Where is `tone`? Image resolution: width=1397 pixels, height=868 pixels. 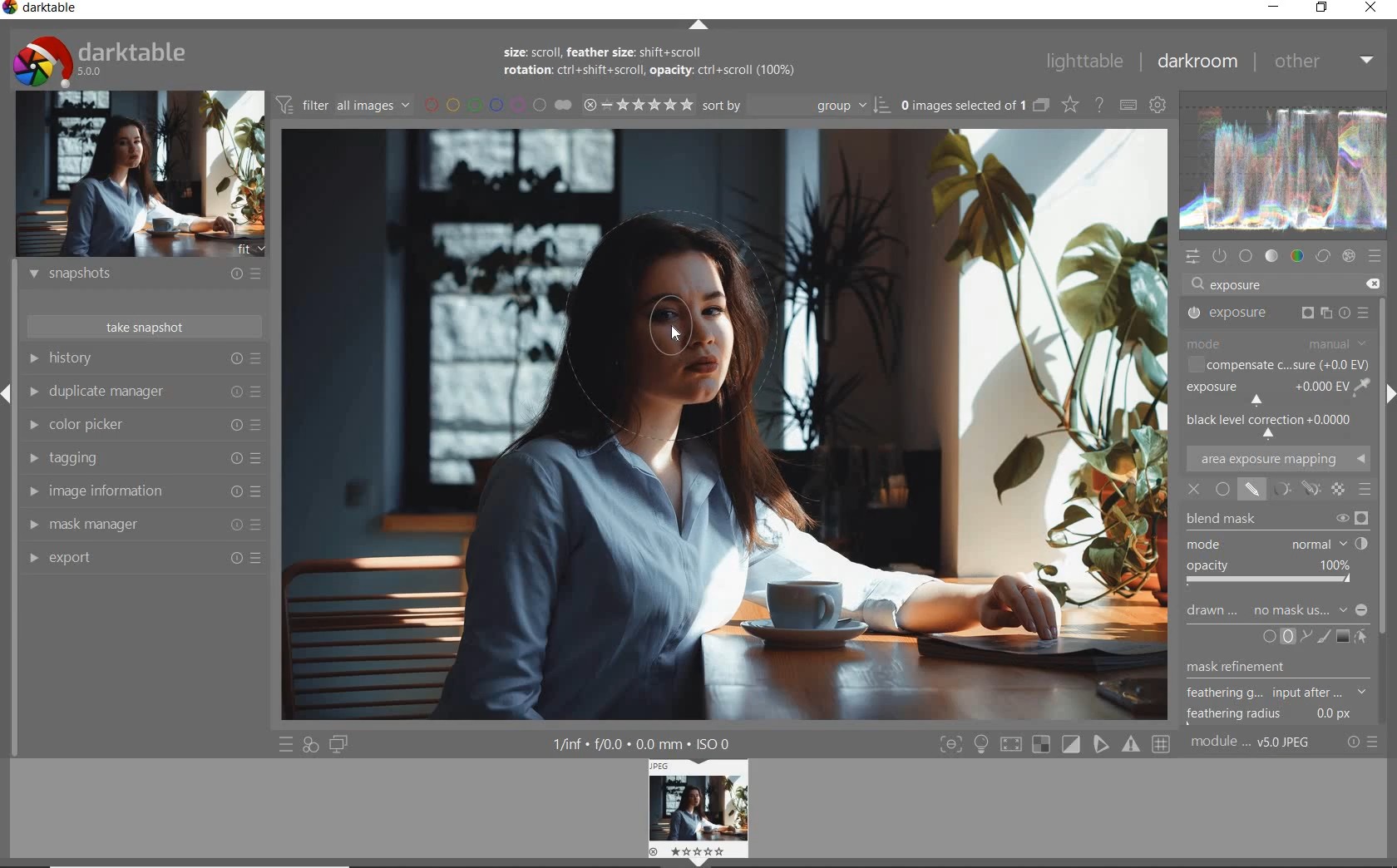
tone is located at coordinates (1271, 255).